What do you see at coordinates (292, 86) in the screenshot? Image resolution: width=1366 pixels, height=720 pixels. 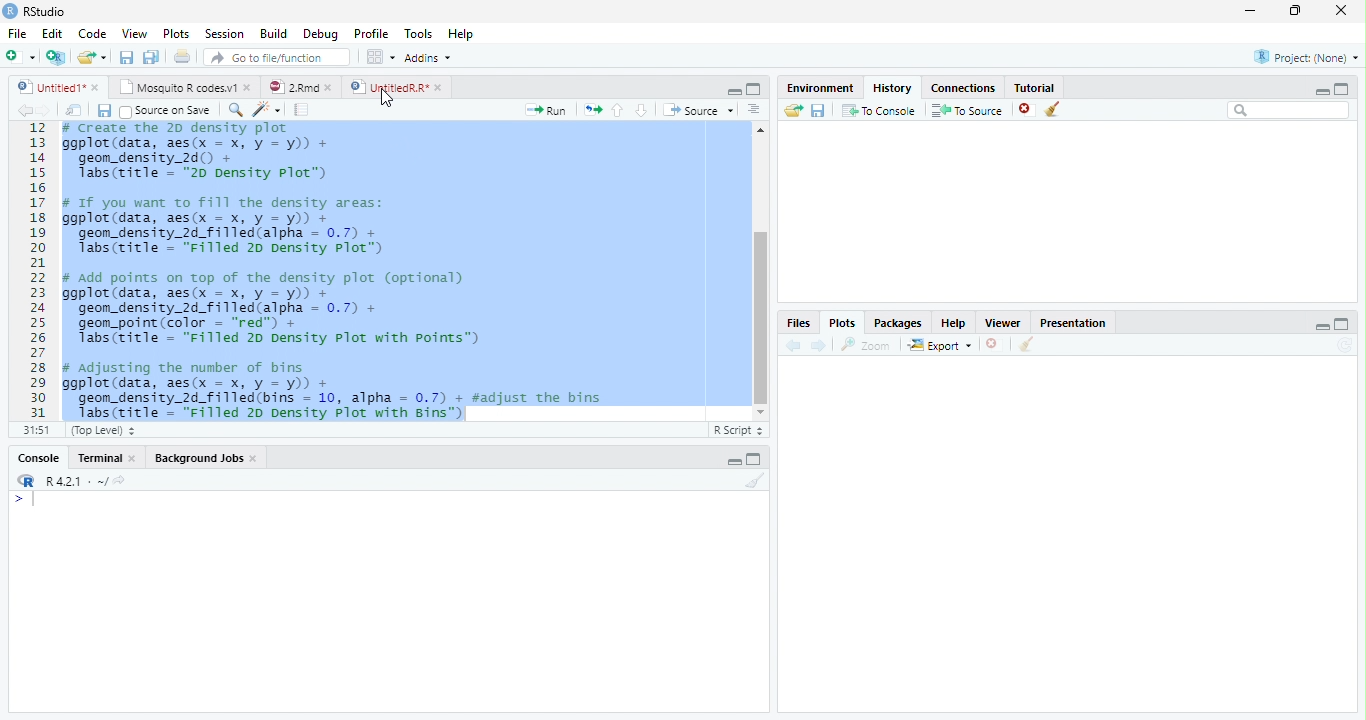 I see `2Rmd` at bounding box center [292, 86].